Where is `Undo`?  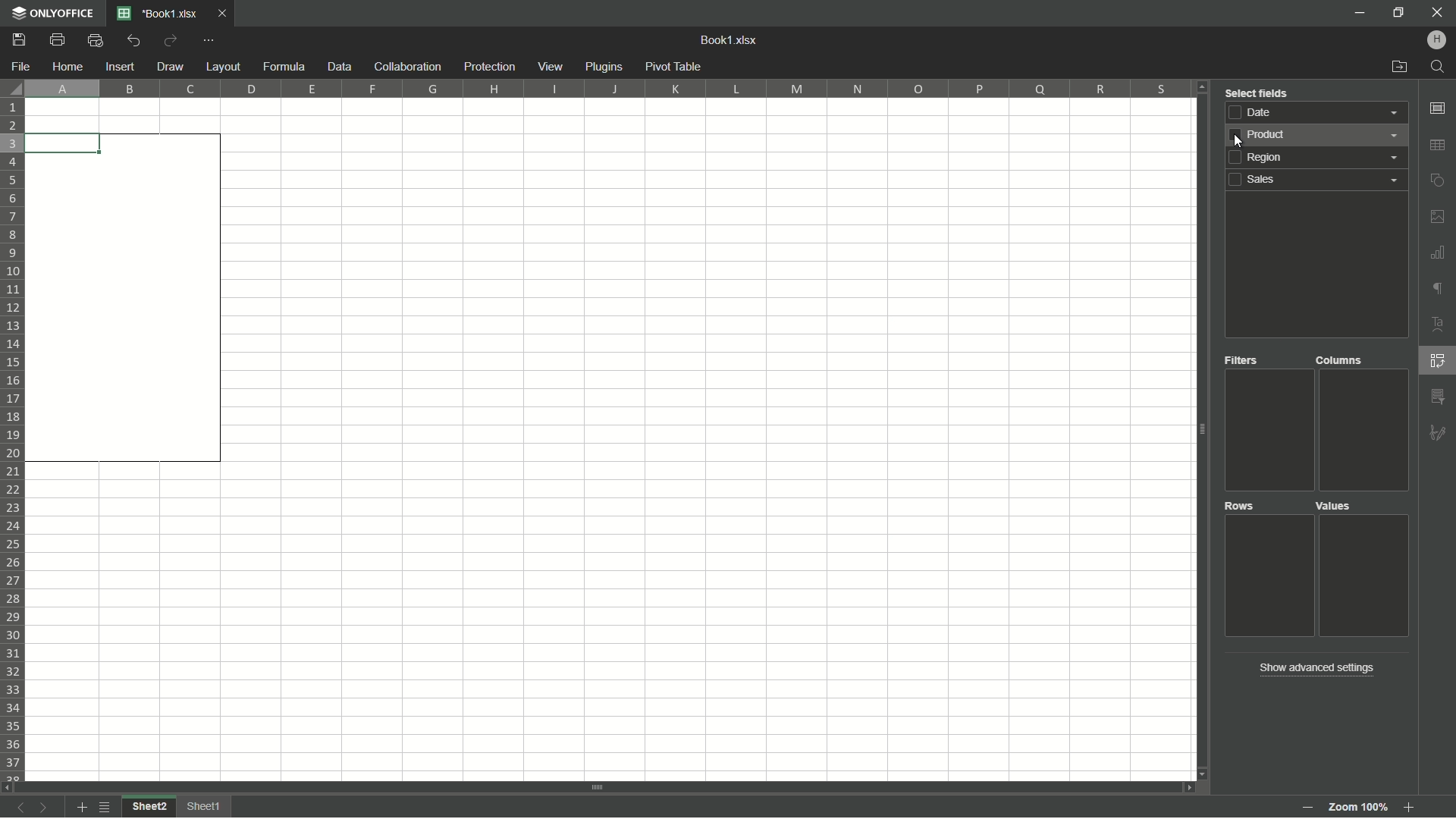
Undo is located at coordinates (135, 40).